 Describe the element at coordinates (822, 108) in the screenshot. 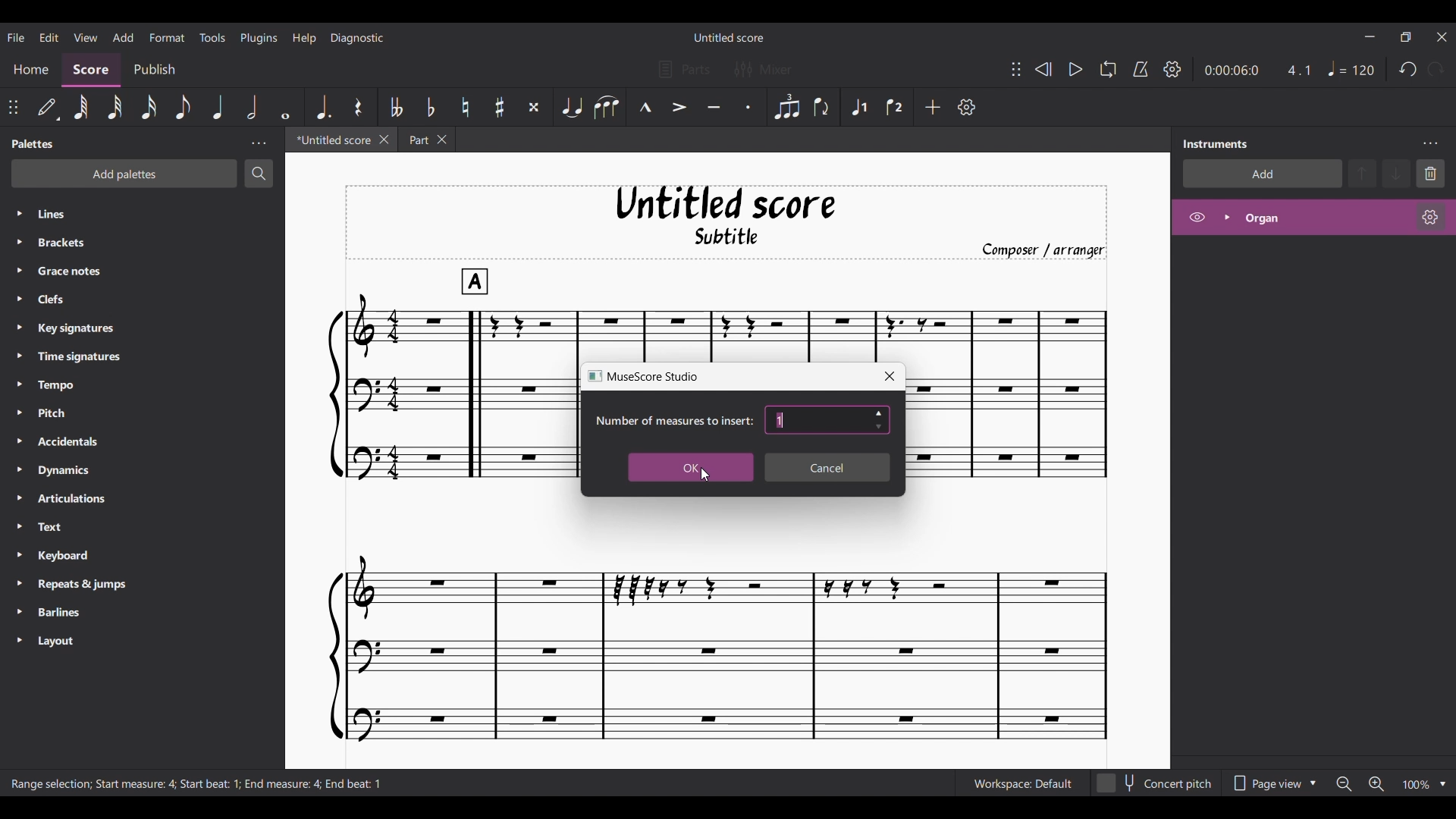

I see `Flip direction` at that location.